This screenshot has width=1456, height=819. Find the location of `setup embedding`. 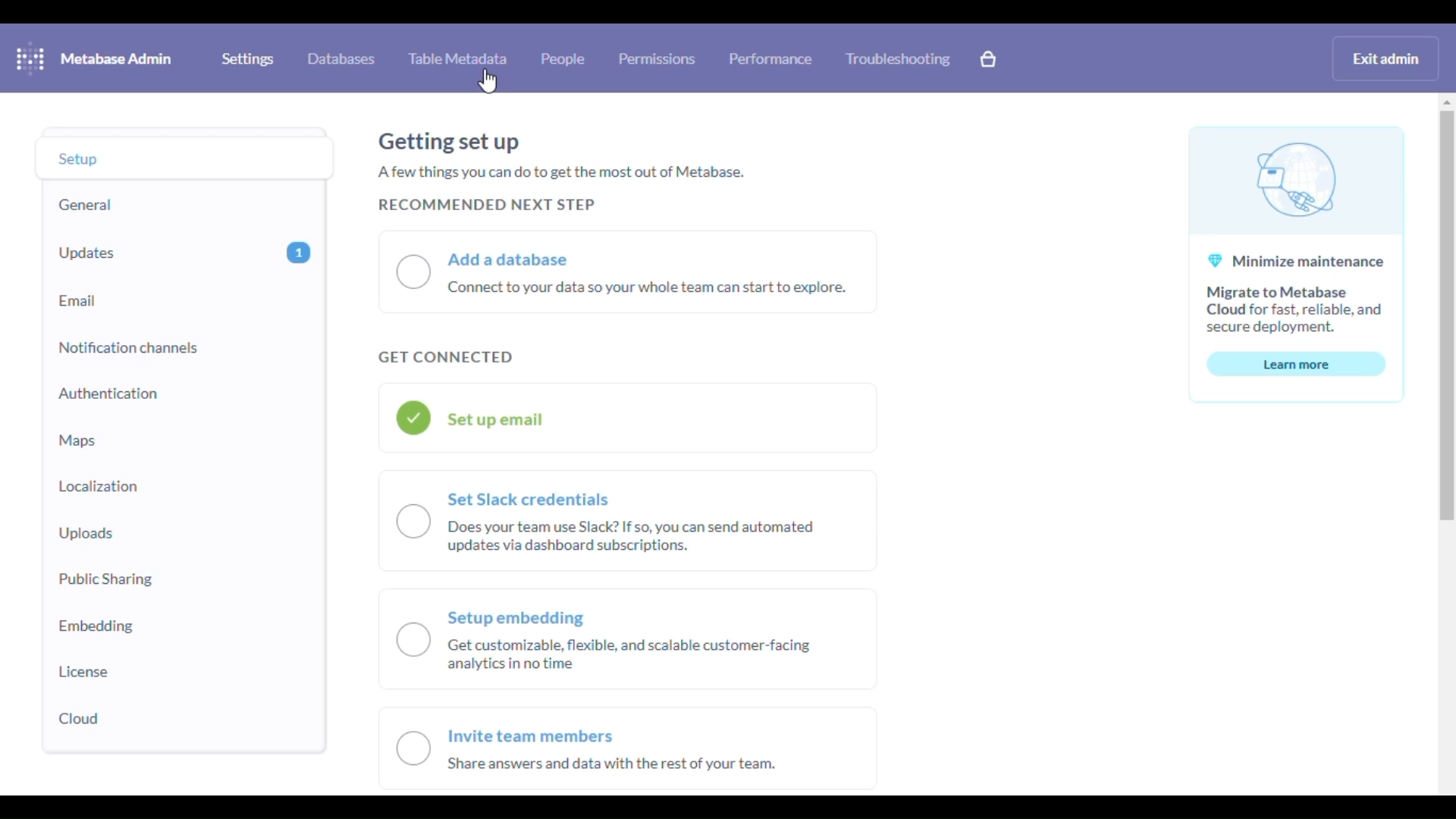

setup embedding is located at coordinates (629, 639).